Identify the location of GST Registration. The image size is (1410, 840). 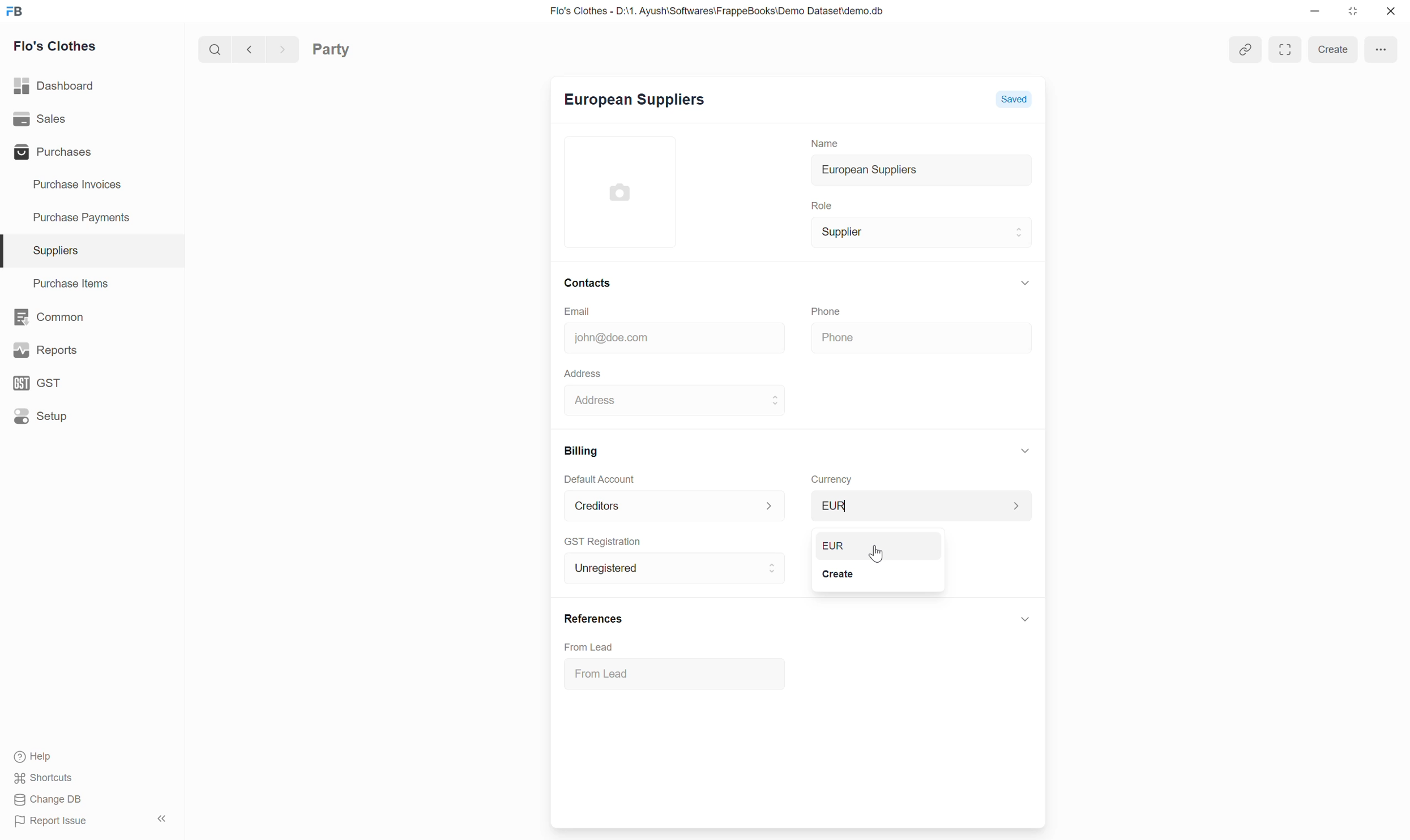
(609, 541).